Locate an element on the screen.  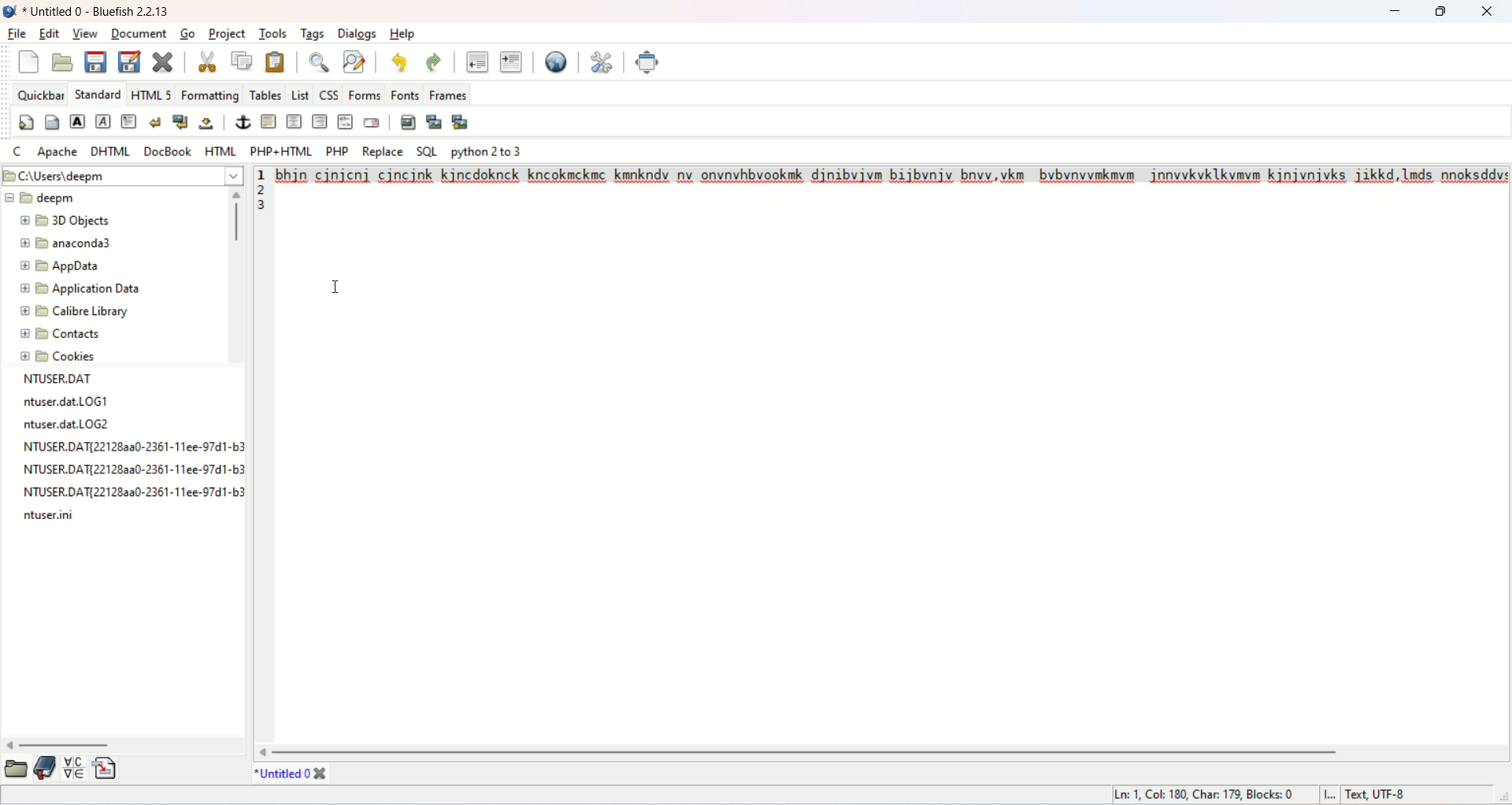
horizontal scroll bar is located at coordinates (813, 752).